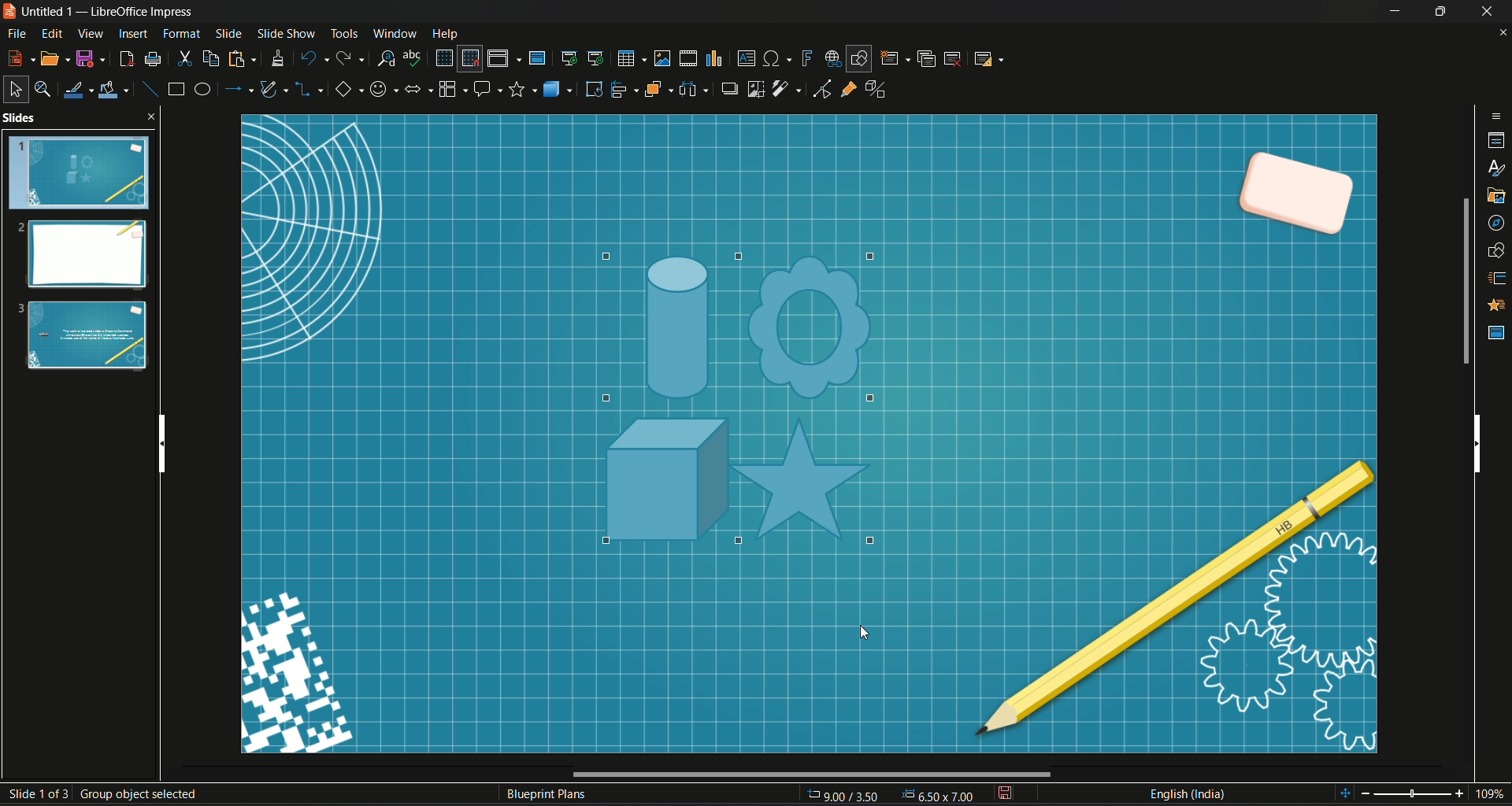 Image resolution: width=1512 pixels, height=806 pixels. What do you see at coordinates (757, 88) in the screenshot?
I see `crop image` at bounding box center [757, 88].